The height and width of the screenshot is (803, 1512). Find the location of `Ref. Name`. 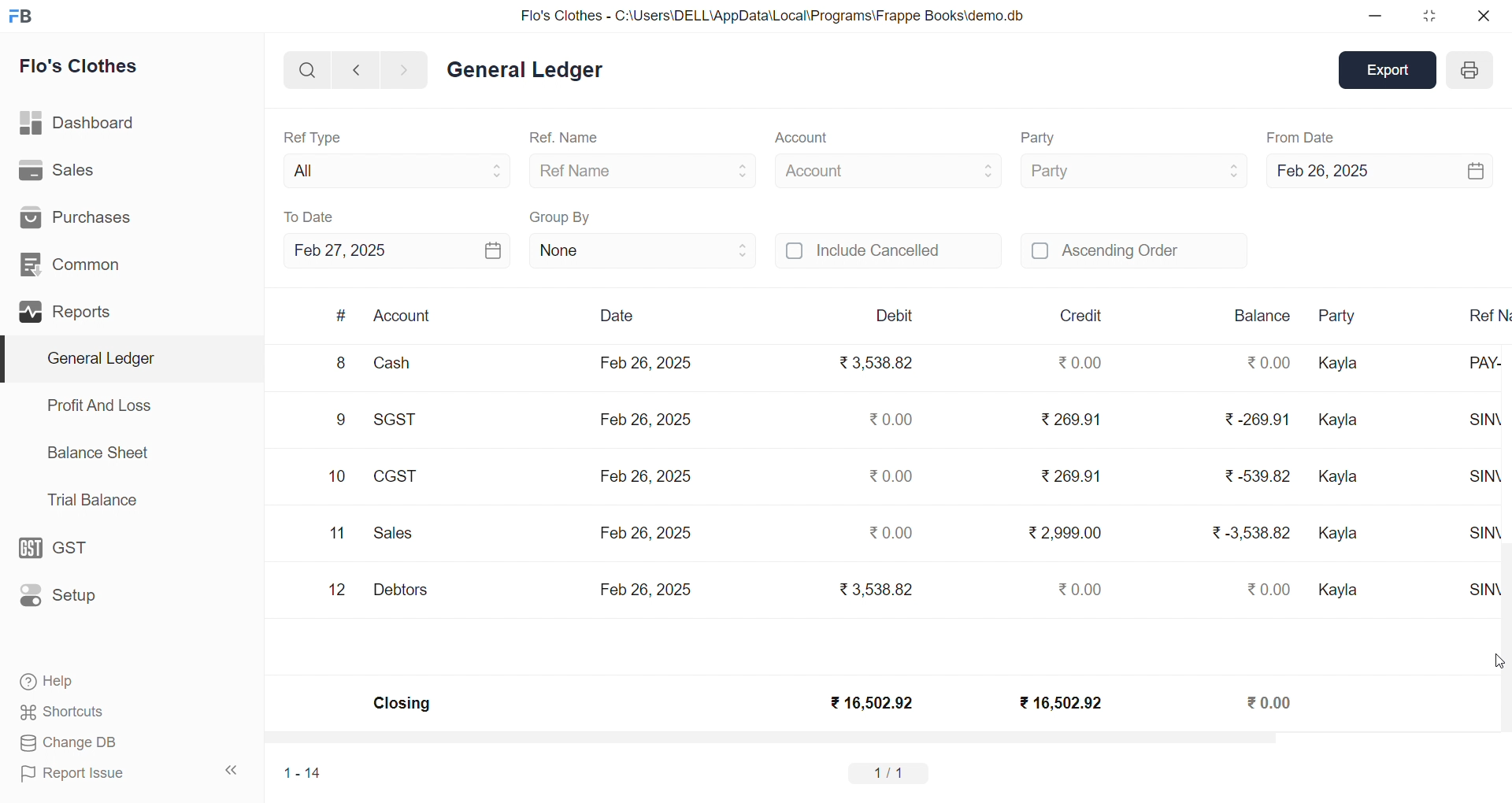

Ref. Name is located at coordinates (565, 139).